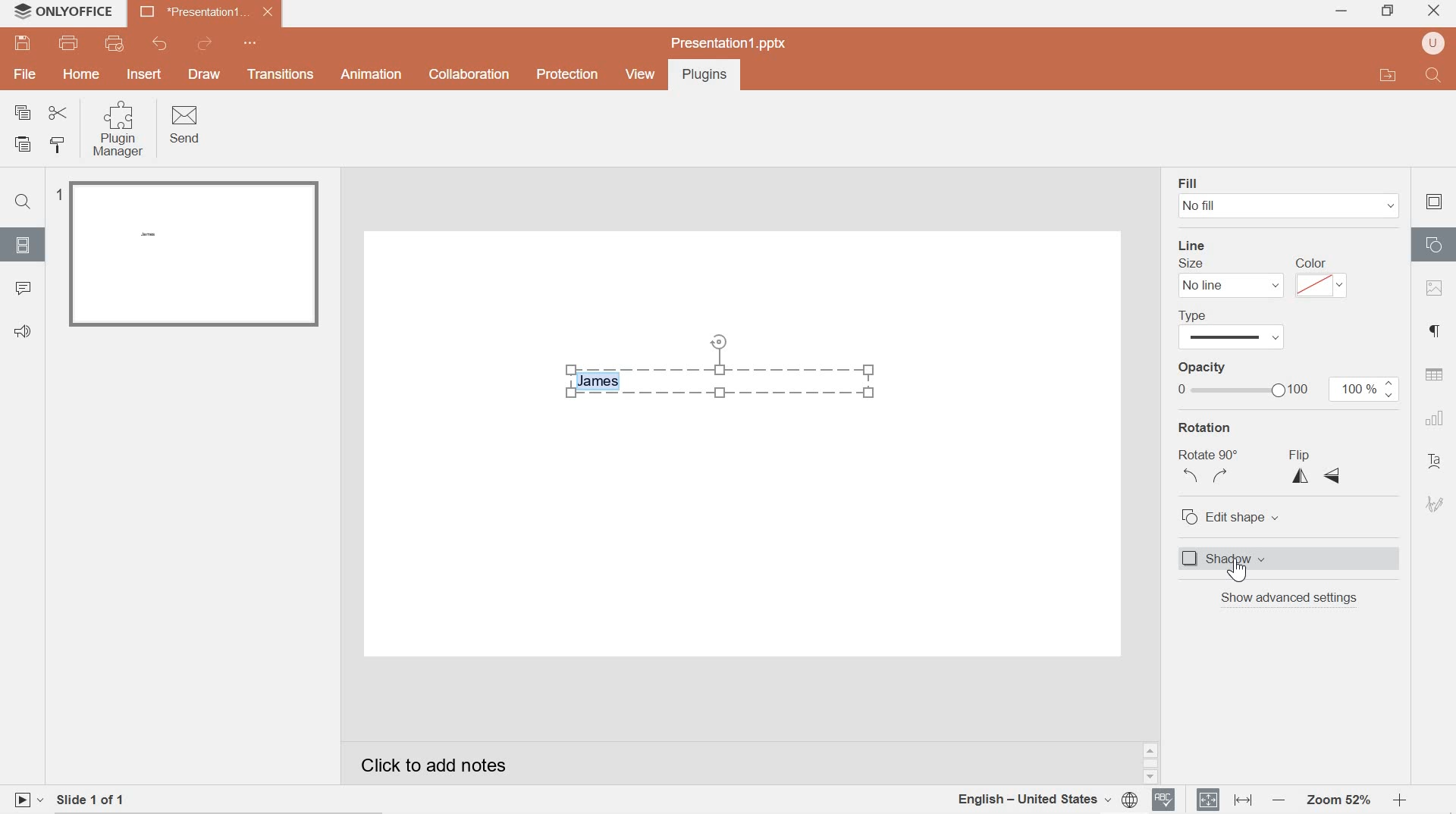 The width and height of the screenshot is (1456, 814). I want to click on comments, so click(25, 290).